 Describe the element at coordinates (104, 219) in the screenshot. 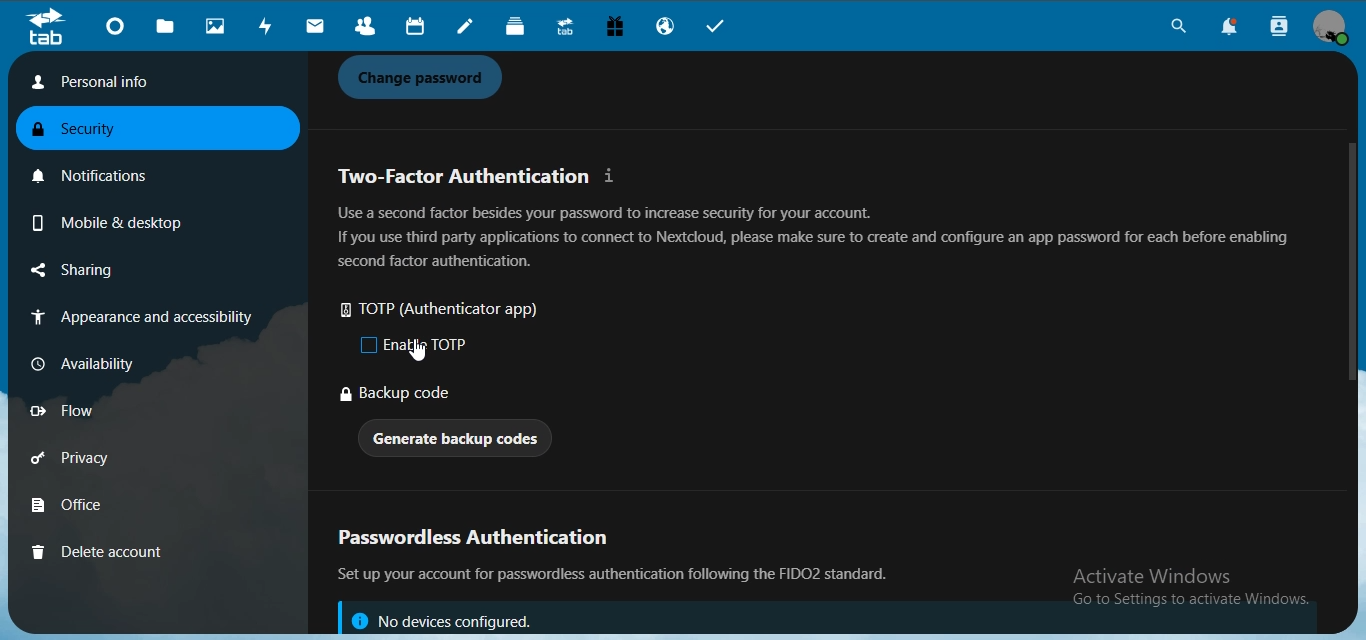

I see `mobile & desktop` at that location.